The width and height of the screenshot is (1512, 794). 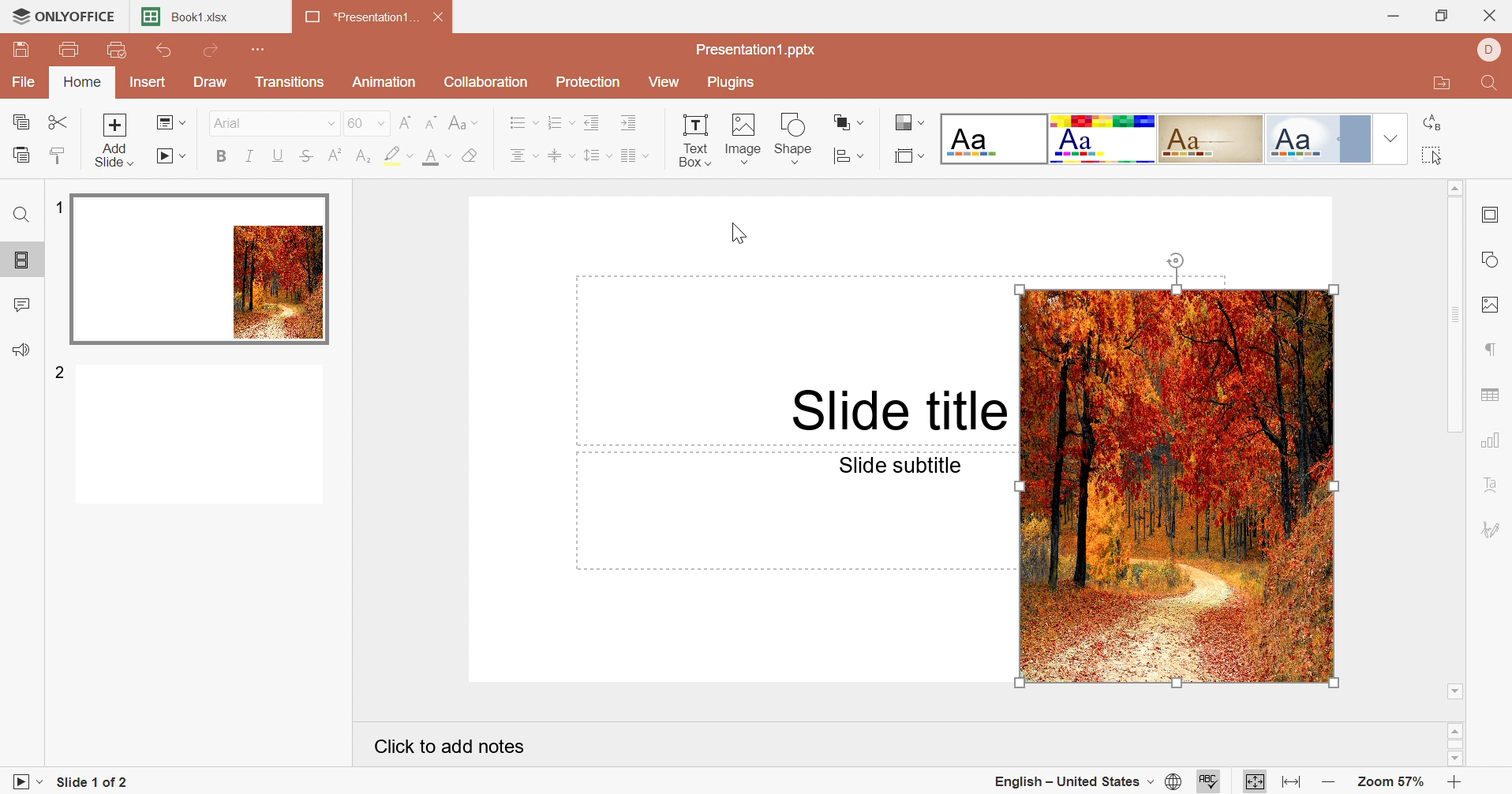 What do you see at coordinates (735, 83) in the screenshot?
I see `Plugins` at bounding box center [735, 83].